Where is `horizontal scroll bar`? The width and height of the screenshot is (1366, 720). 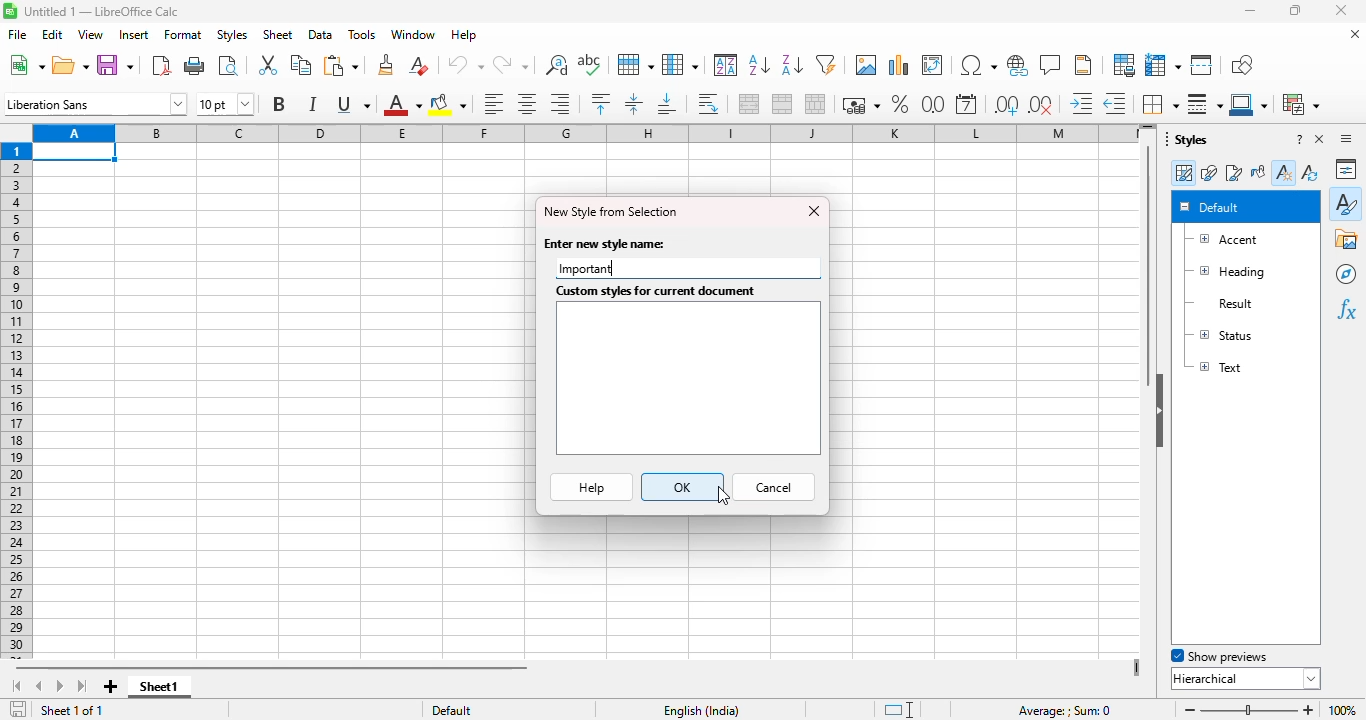
horizontal scroll bar is located at coordinates (322, 668).